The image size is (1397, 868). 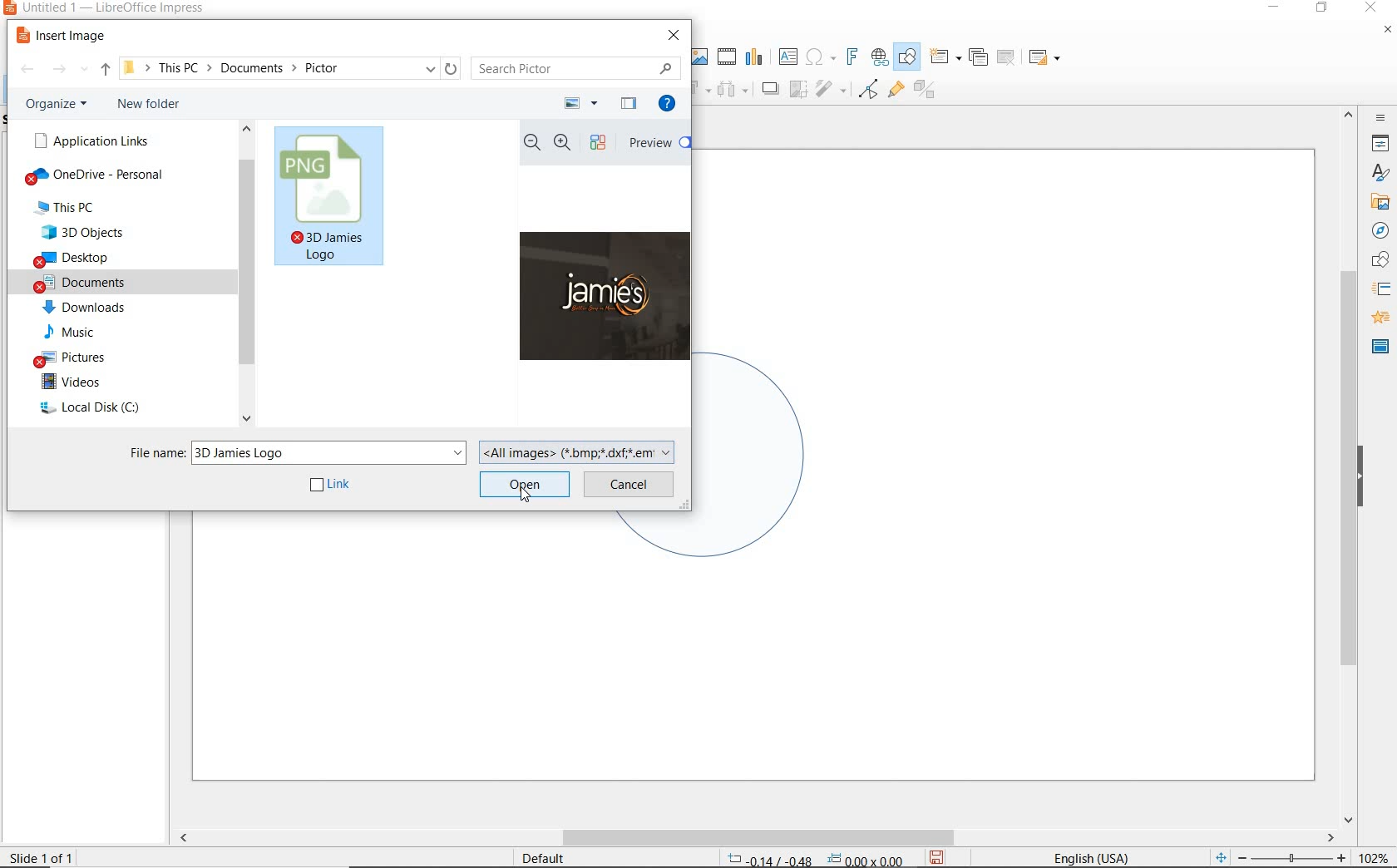 What do you see at coordinates (754, 57) in the screenshot?
I see `insert chart` at bounding box center [754, 57].